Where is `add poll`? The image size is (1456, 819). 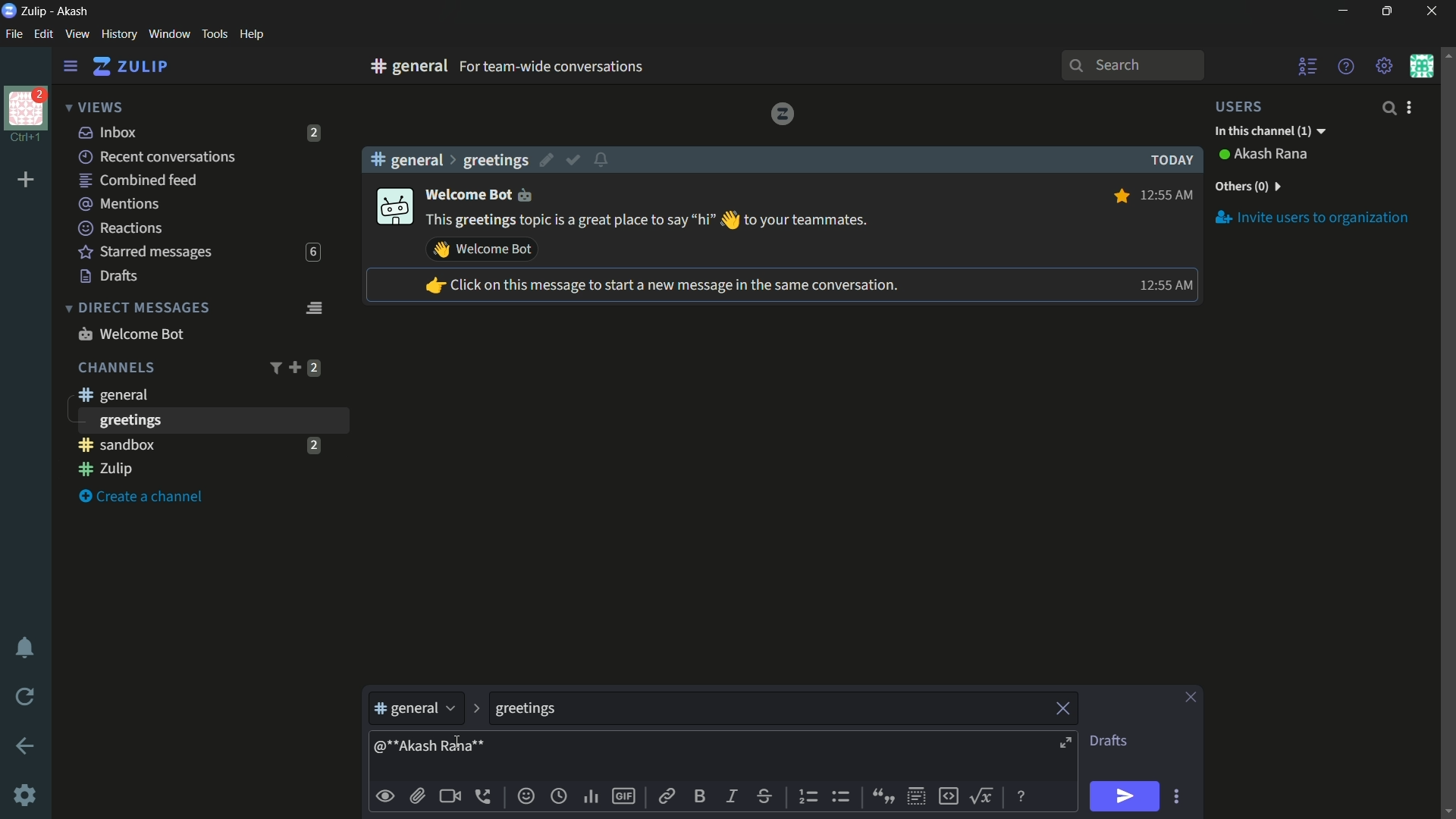 add poll is located at coordinates (592, 798).